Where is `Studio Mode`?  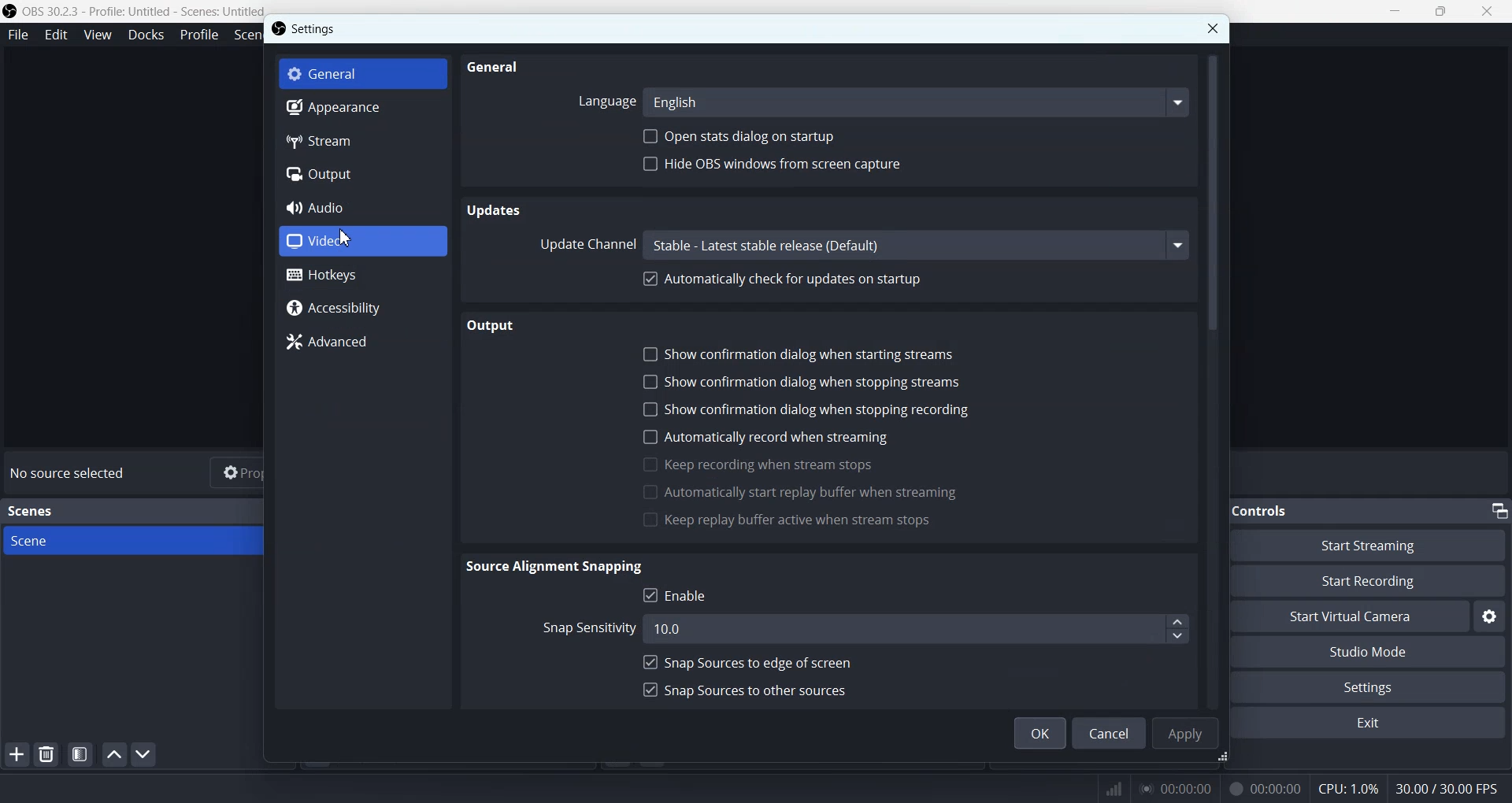
Studio Mode is located at coordinates (1377, 653).